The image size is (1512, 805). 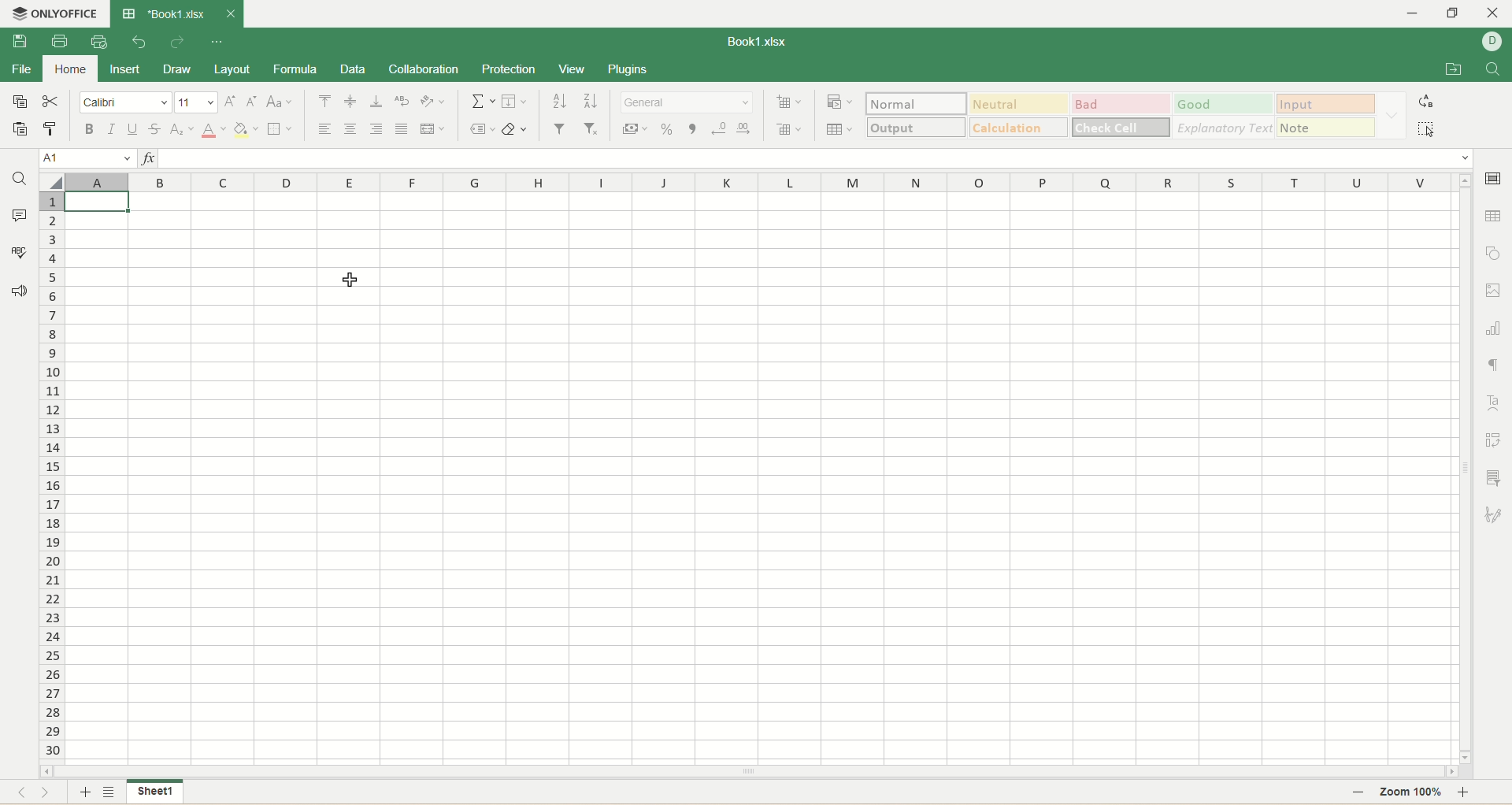 What do you see at coordinates (228, 15) in the screenshot?
I see `close` at bounding box center [228, 15].